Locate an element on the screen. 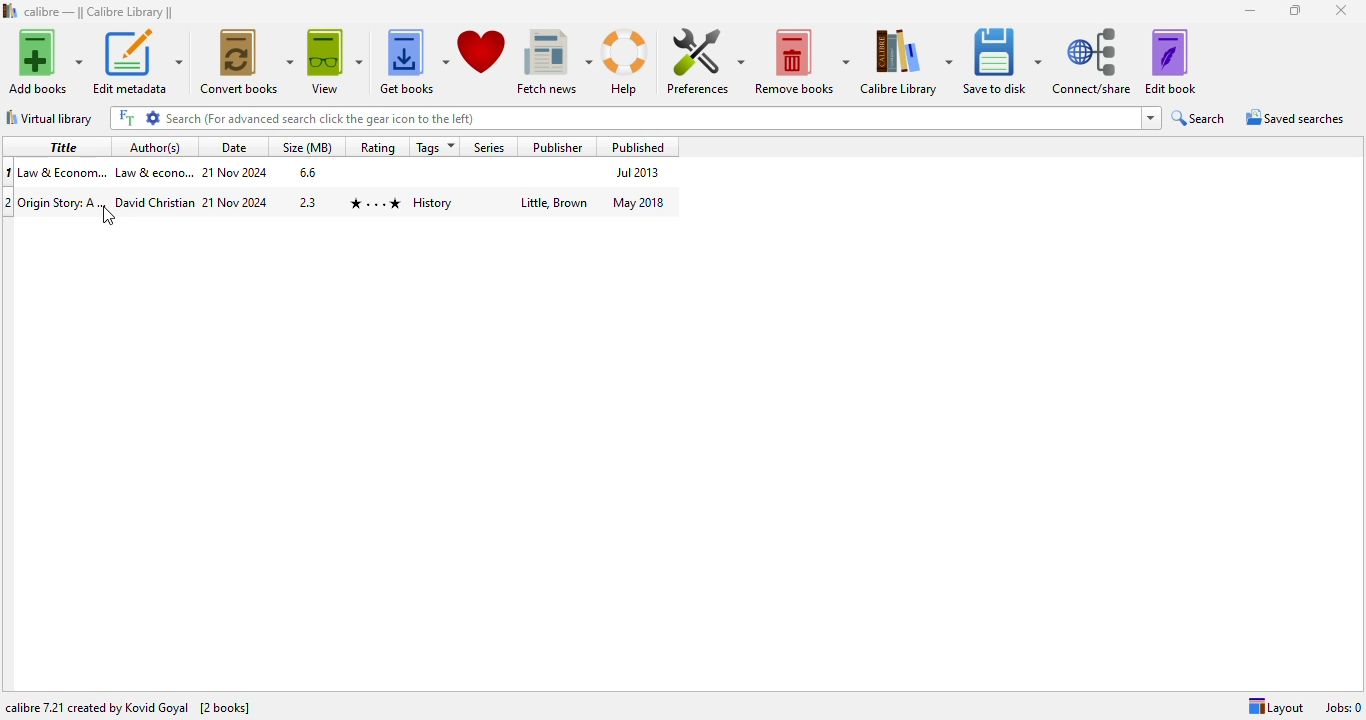 This screenshot has height=720, width=1366. remove books is located at coordinates (802, 61).